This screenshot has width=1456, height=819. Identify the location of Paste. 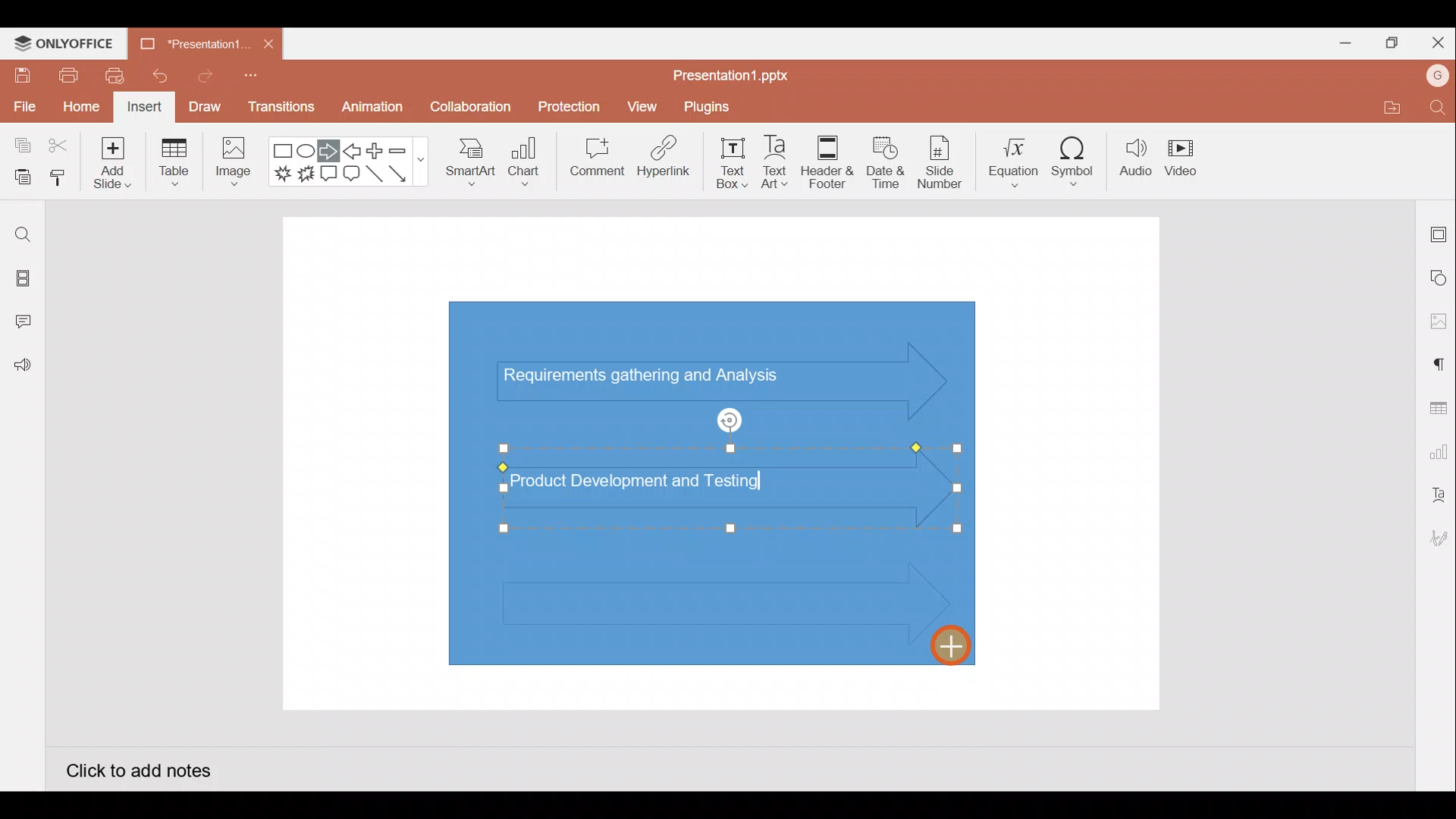
(19, 178).